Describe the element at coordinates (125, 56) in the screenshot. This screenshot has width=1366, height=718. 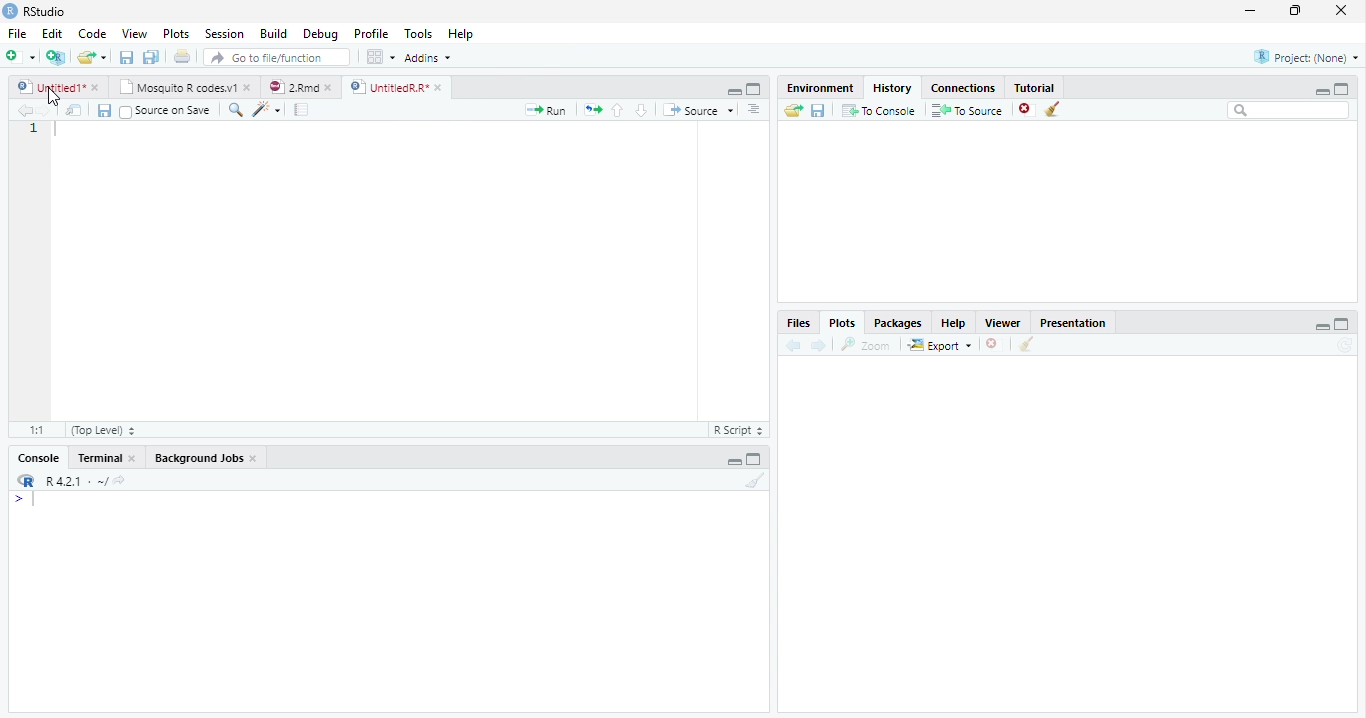
I see `Save` at that location.